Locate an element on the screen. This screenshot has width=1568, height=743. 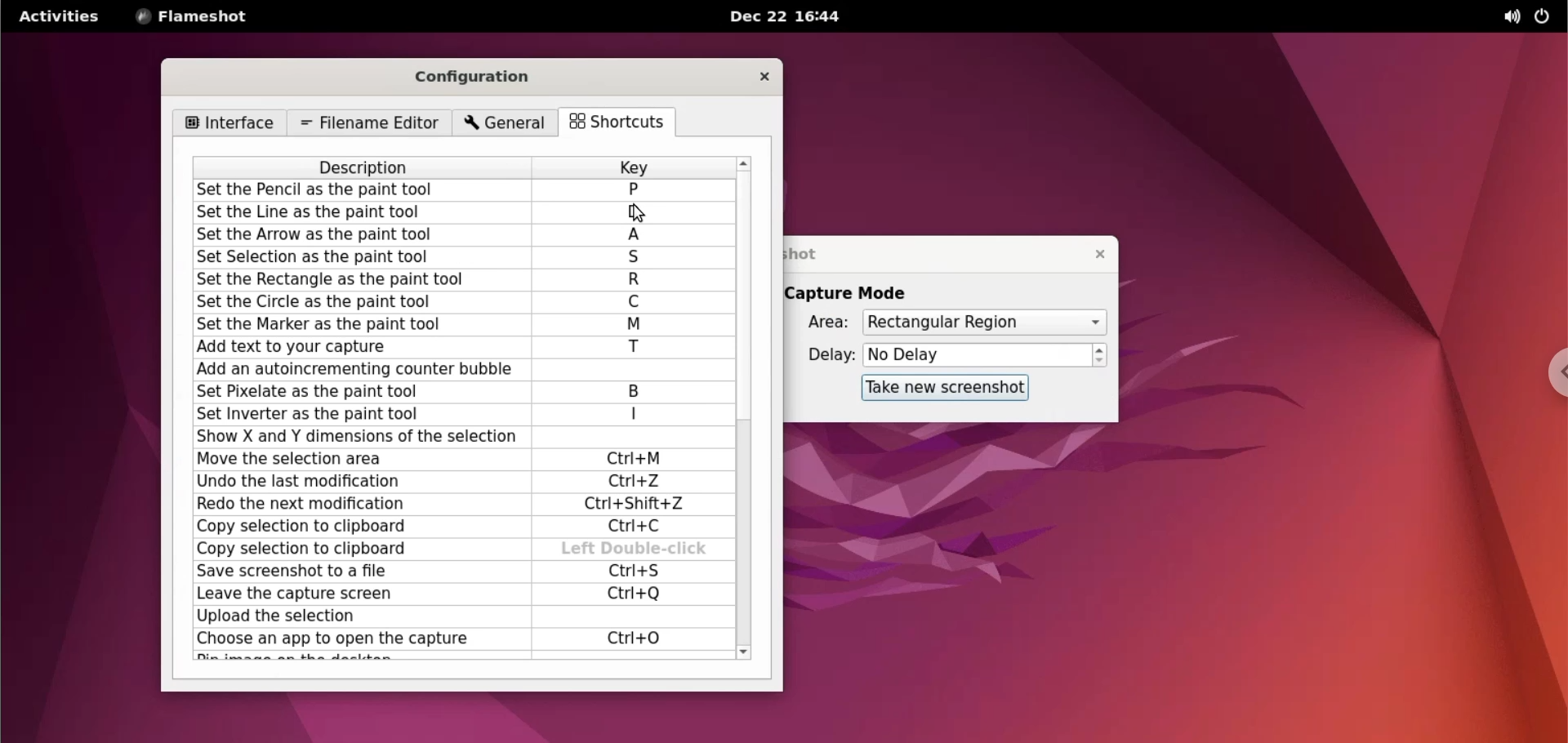
enter shortcut textbox is located at coordinates (630, 370).